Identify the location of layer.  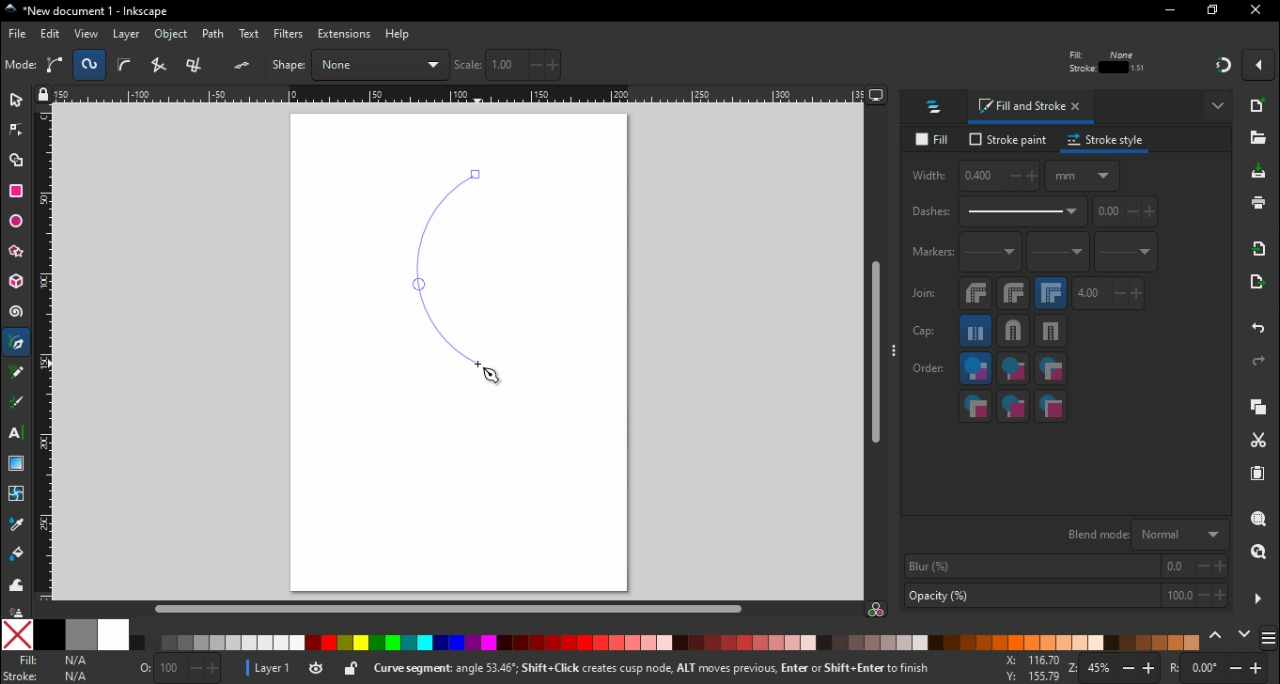
(127, 35).